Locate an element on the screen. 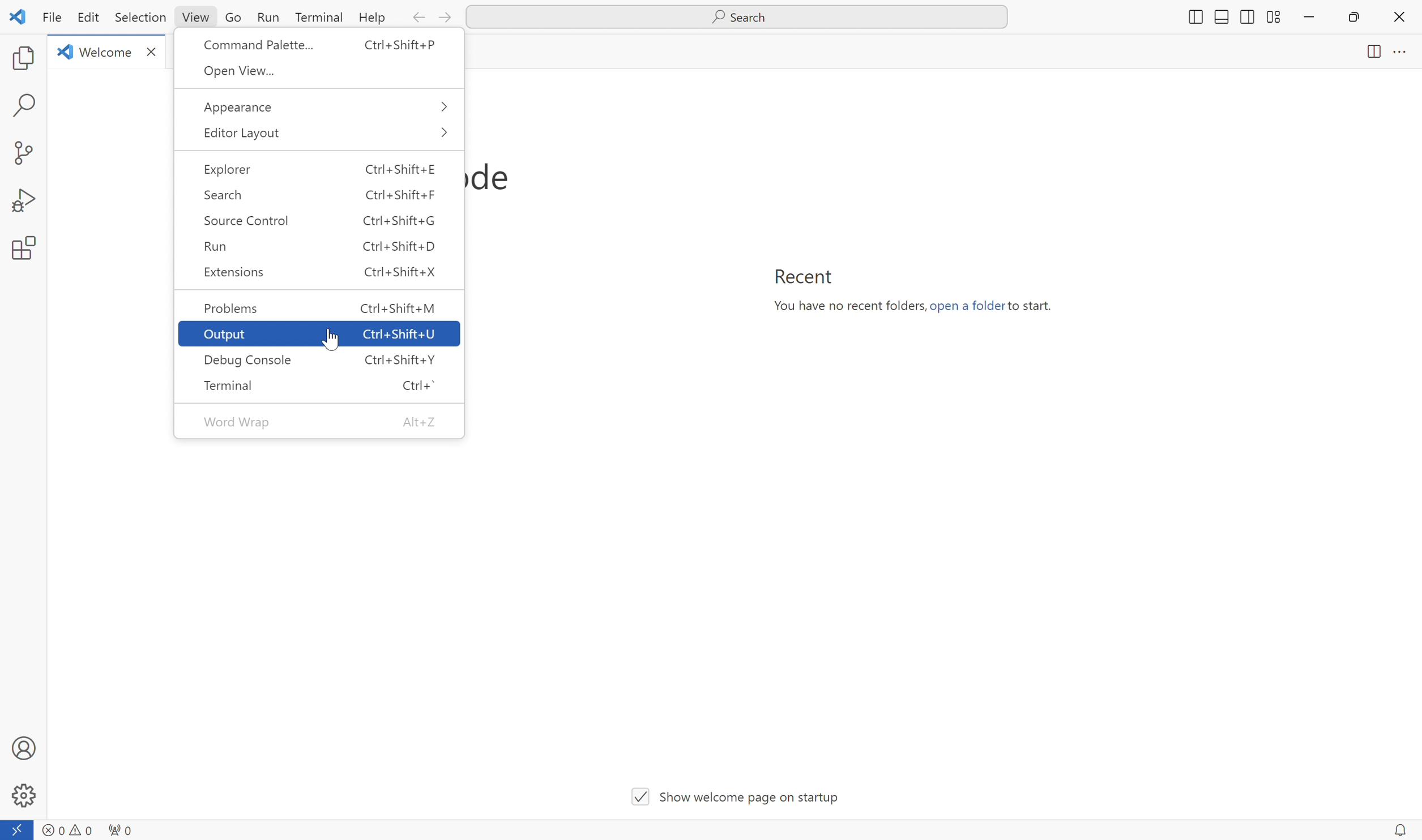 This screenshot has height=840, width=1422. Search is located at coordinates (735, 16).